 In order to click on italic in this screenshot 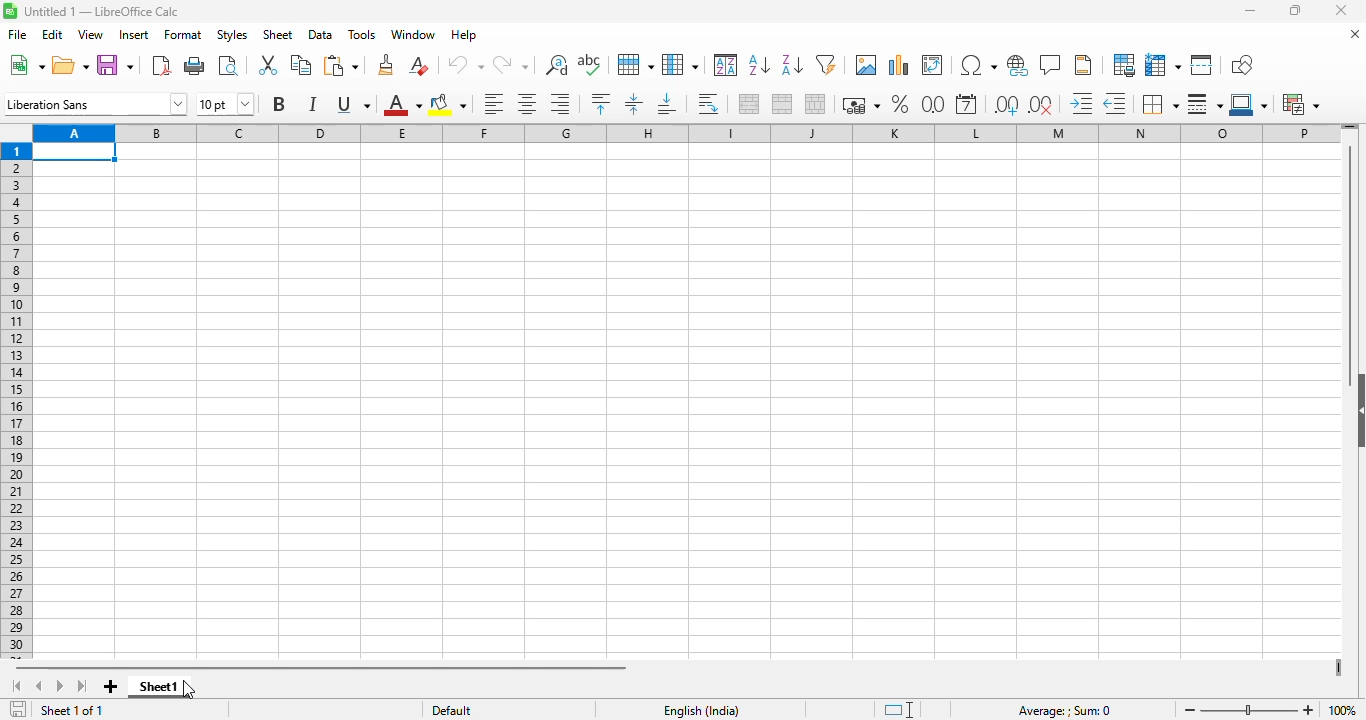, I will do `click(312, 103)`.